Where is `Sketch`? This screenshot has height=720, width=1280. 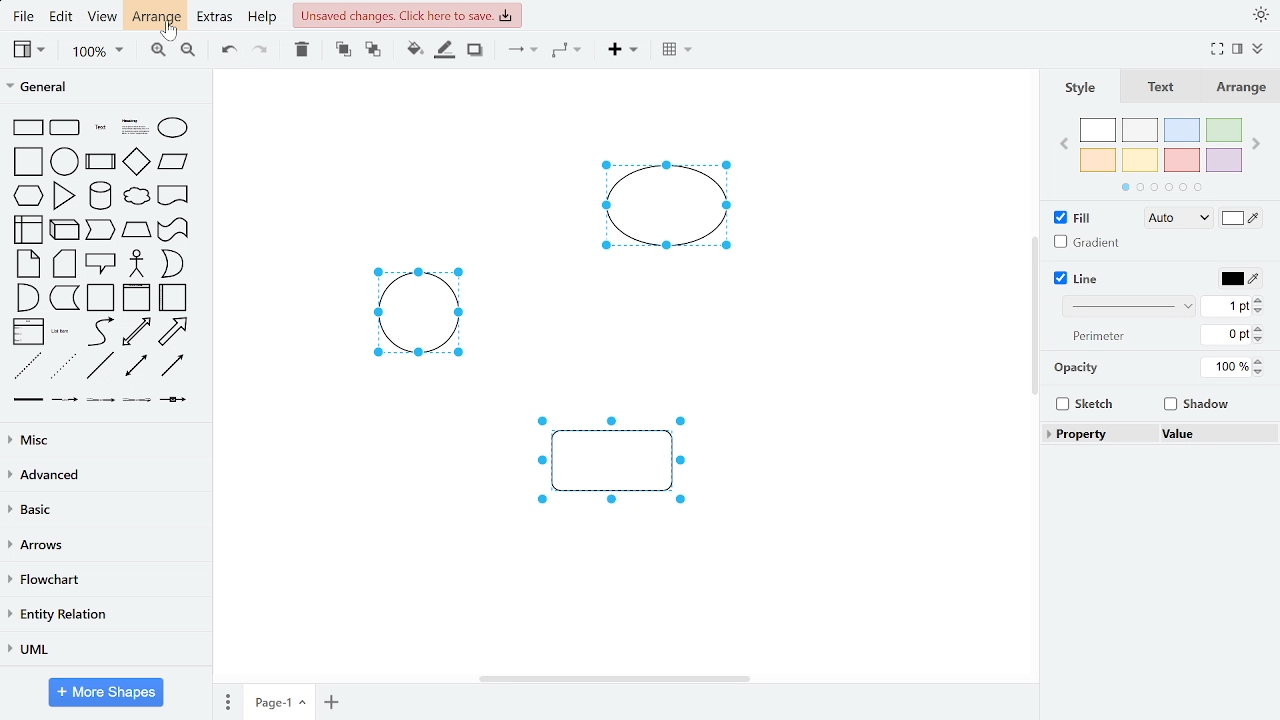
Sketch is located at coordinates (1087, 404).